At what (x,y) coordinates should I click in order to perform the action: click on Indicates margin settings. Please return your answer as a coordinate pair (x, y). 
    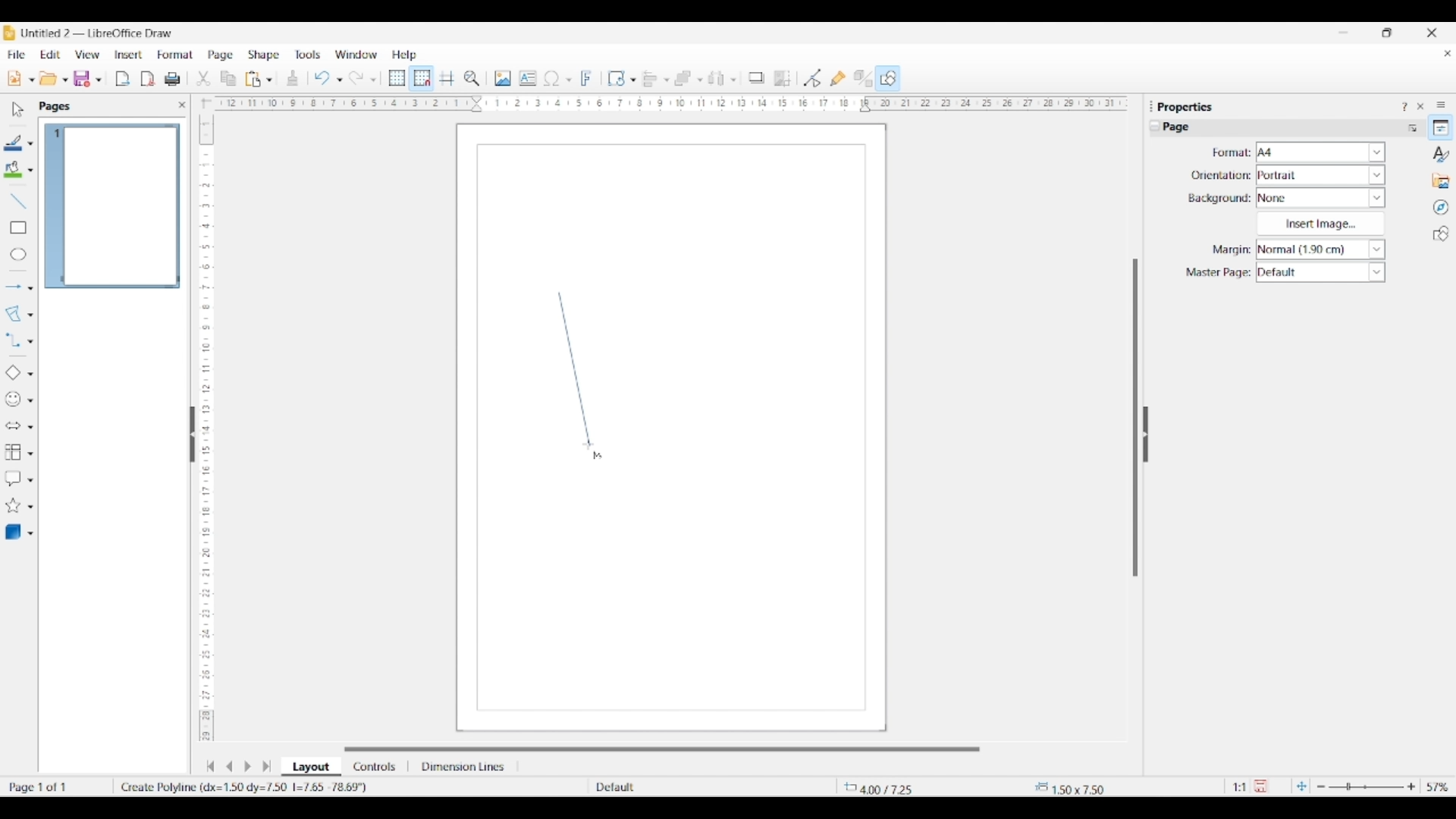
    Looking at the image, I should click on (1229, 250).